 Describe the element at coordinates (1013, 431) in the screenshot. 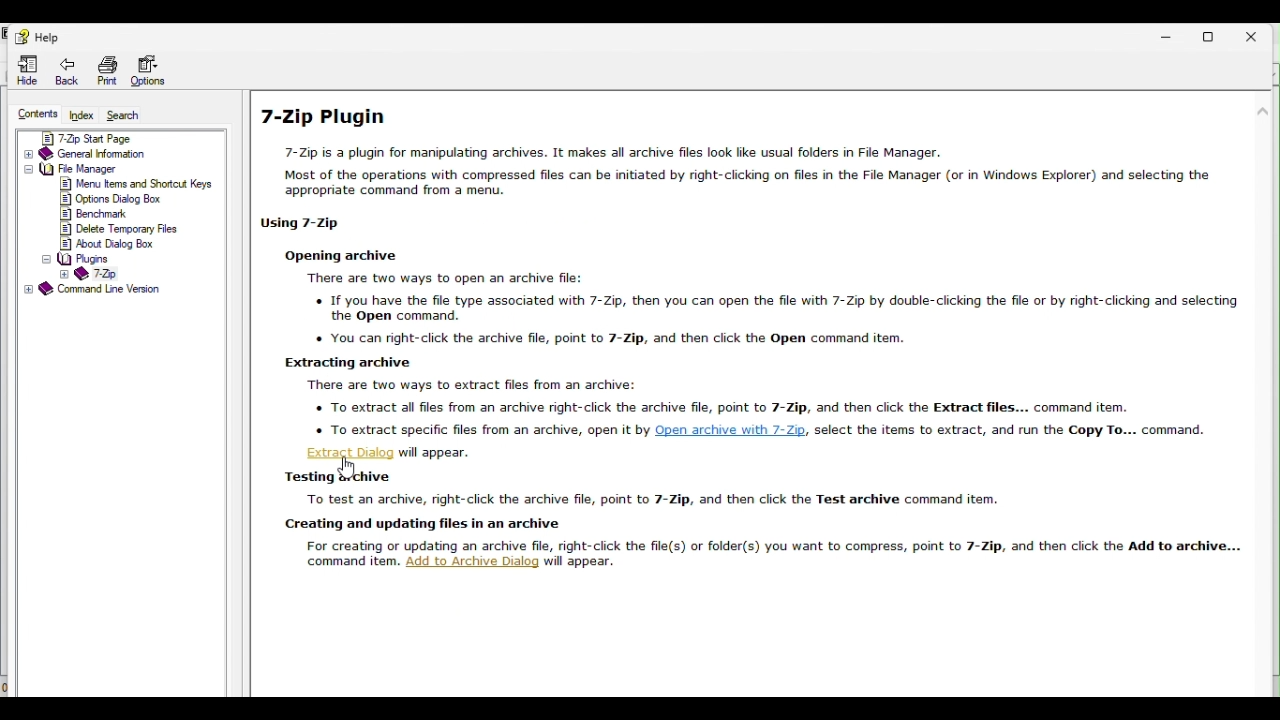

I see `text` at that location.